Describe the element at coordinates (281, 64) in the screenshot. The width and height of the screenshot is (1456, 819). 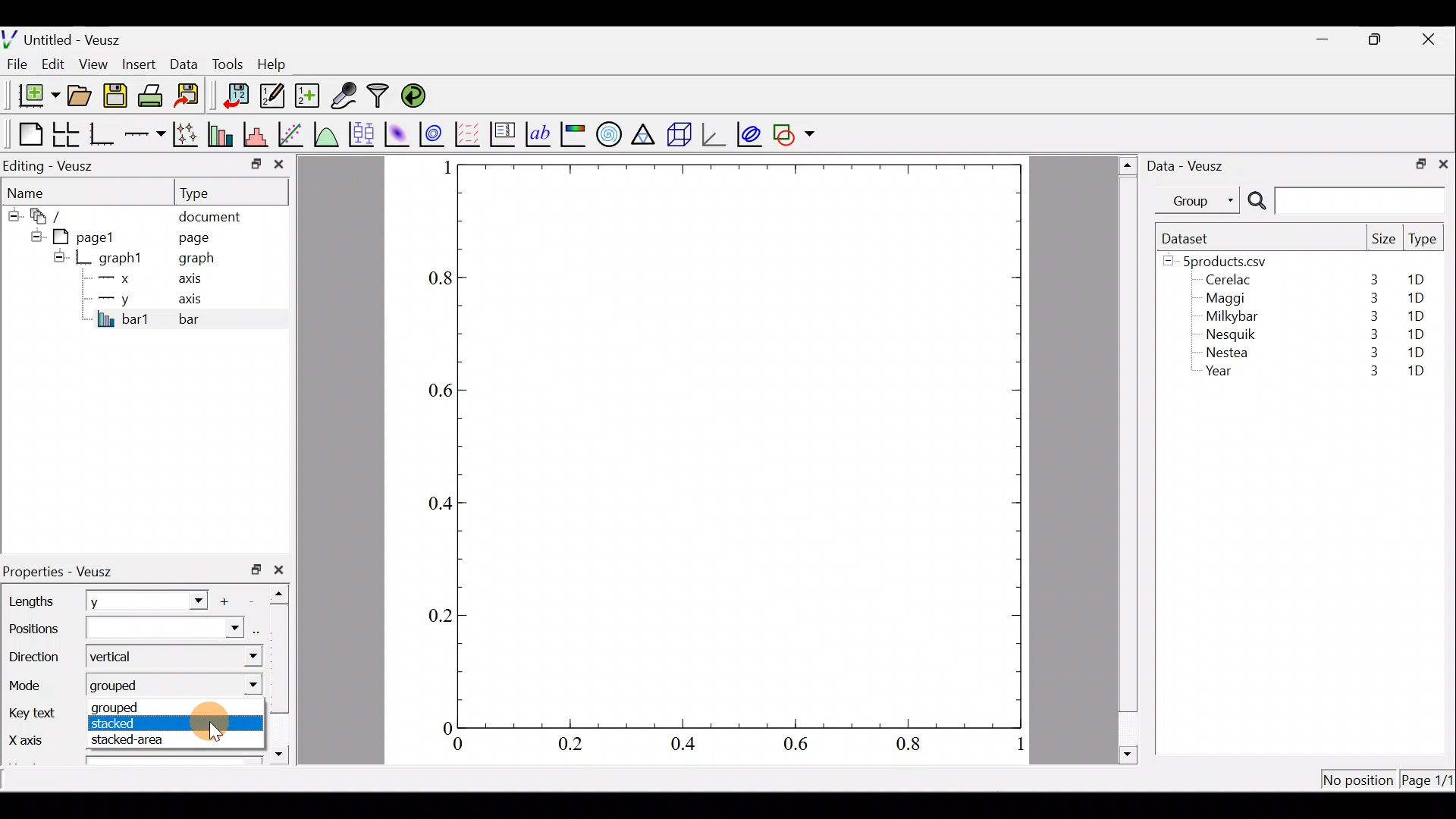
I see `Help` at that location.